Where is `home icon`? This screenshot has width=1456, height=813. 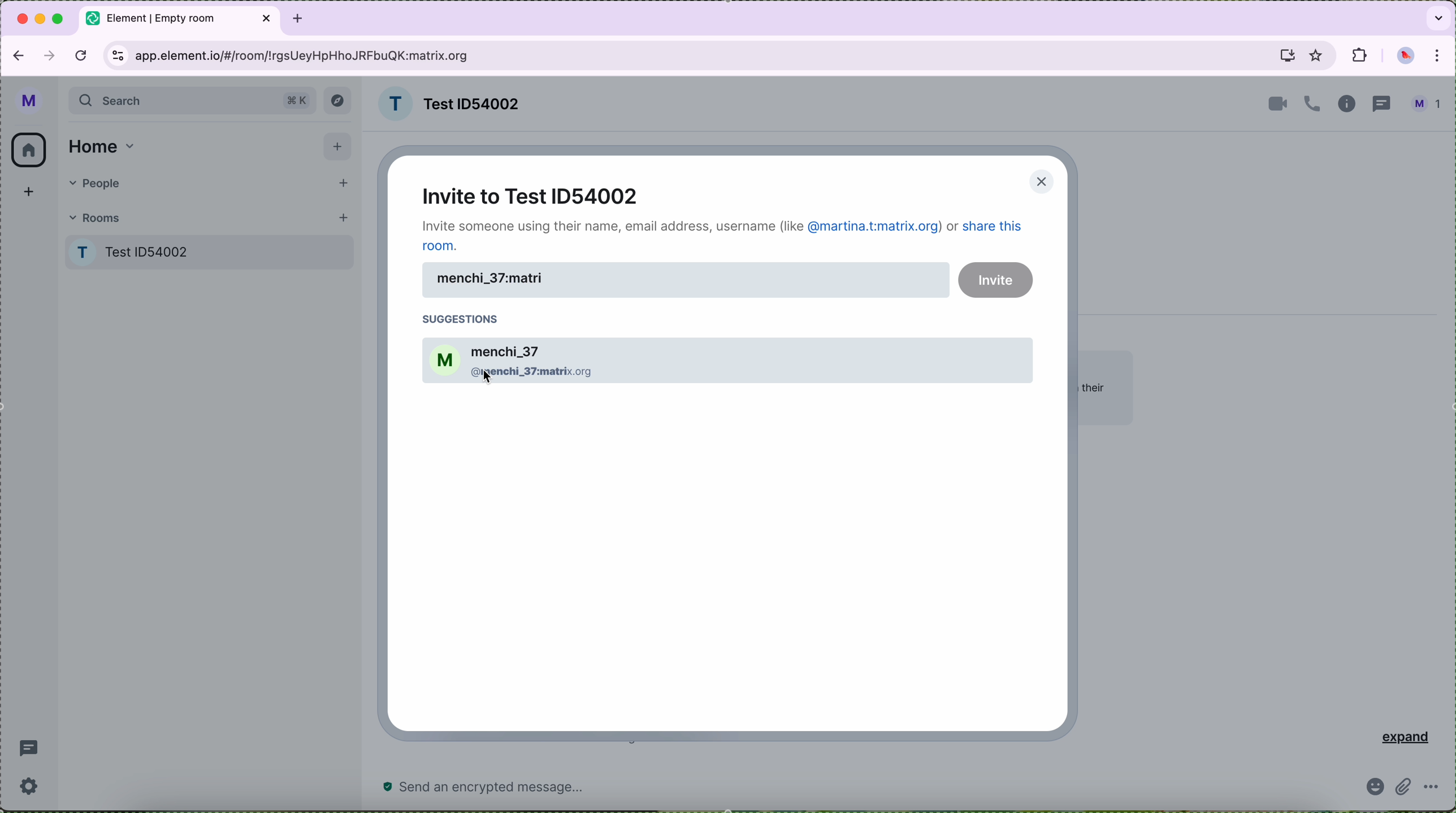
home icon is located at coordinates (31, 148).